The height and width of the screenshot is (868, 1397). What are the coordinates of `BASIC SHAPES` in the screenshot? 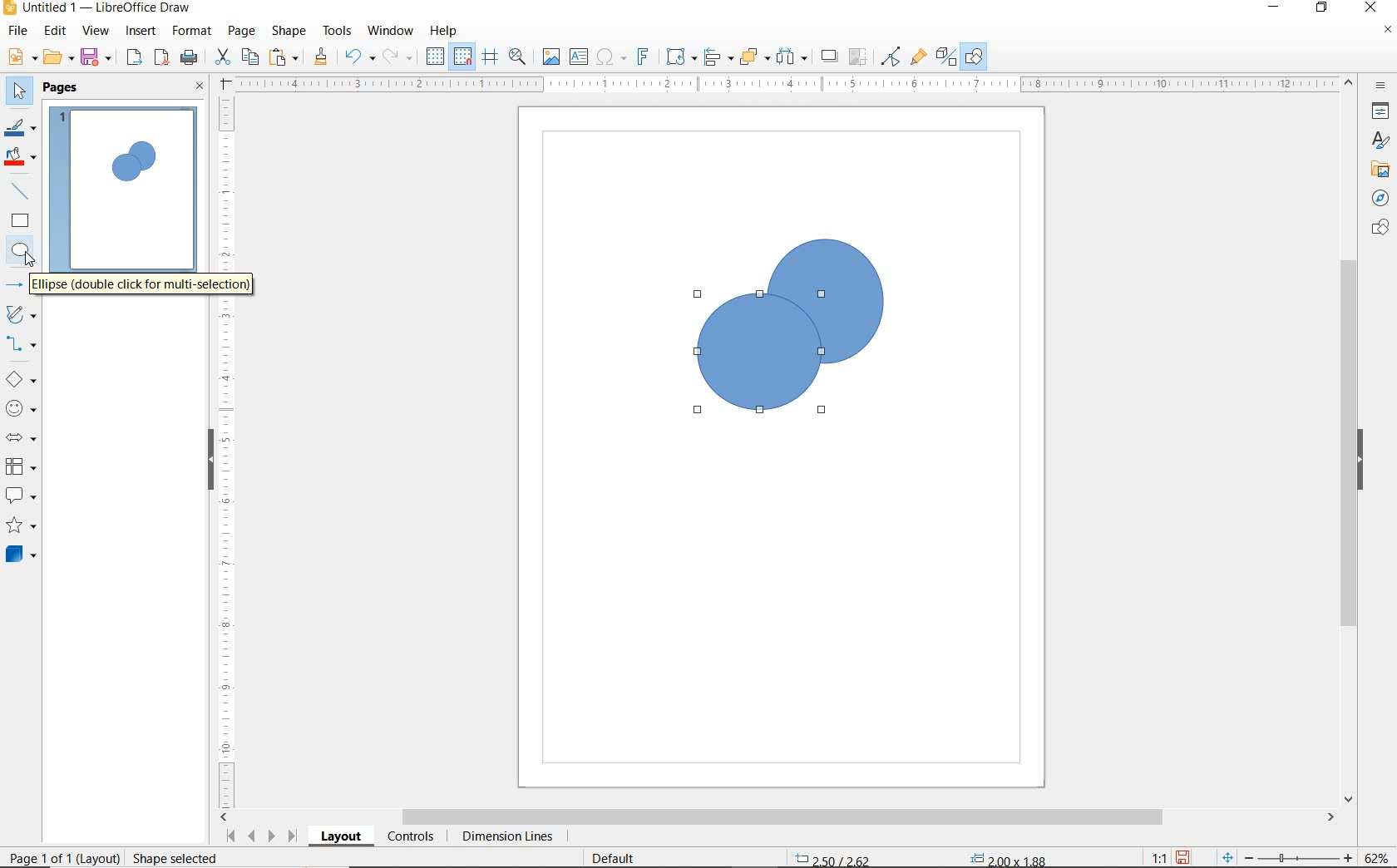 It's located at (22, 382).